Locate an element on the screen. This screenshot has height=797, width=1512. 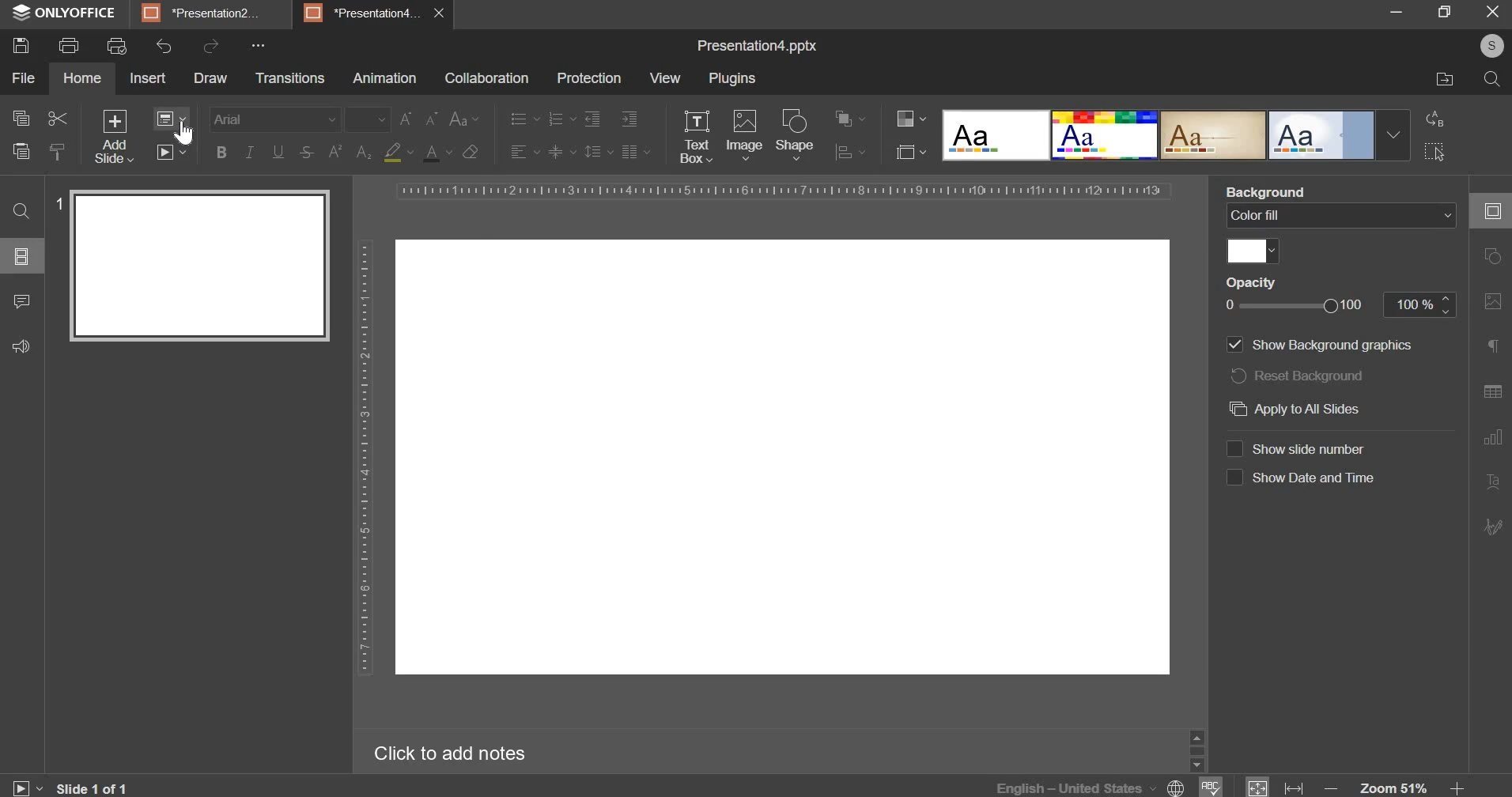
slideshow is located at coordinates (174, 157).